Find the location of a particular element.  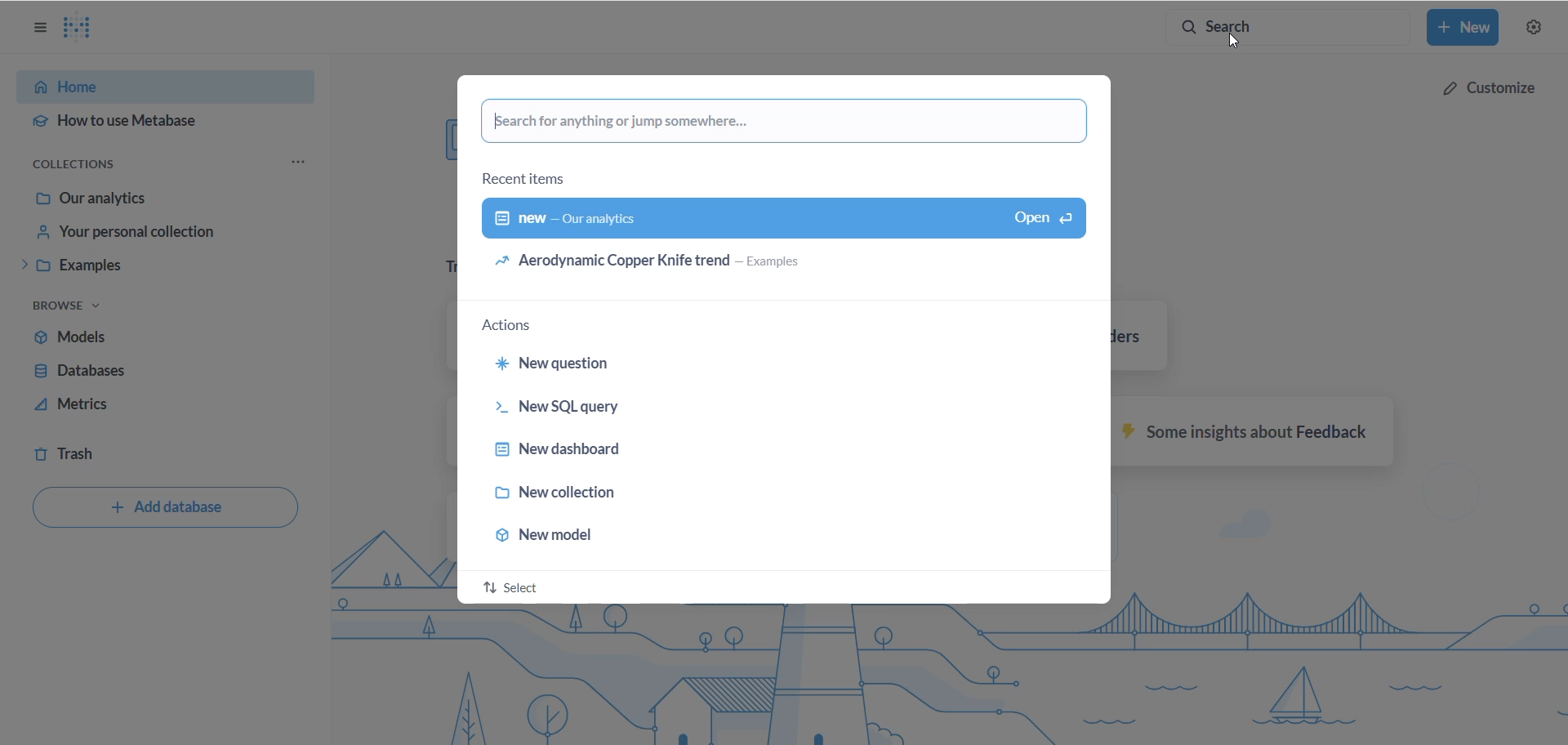

HOW TO USE METABASE is located at coordinates (151, 123).